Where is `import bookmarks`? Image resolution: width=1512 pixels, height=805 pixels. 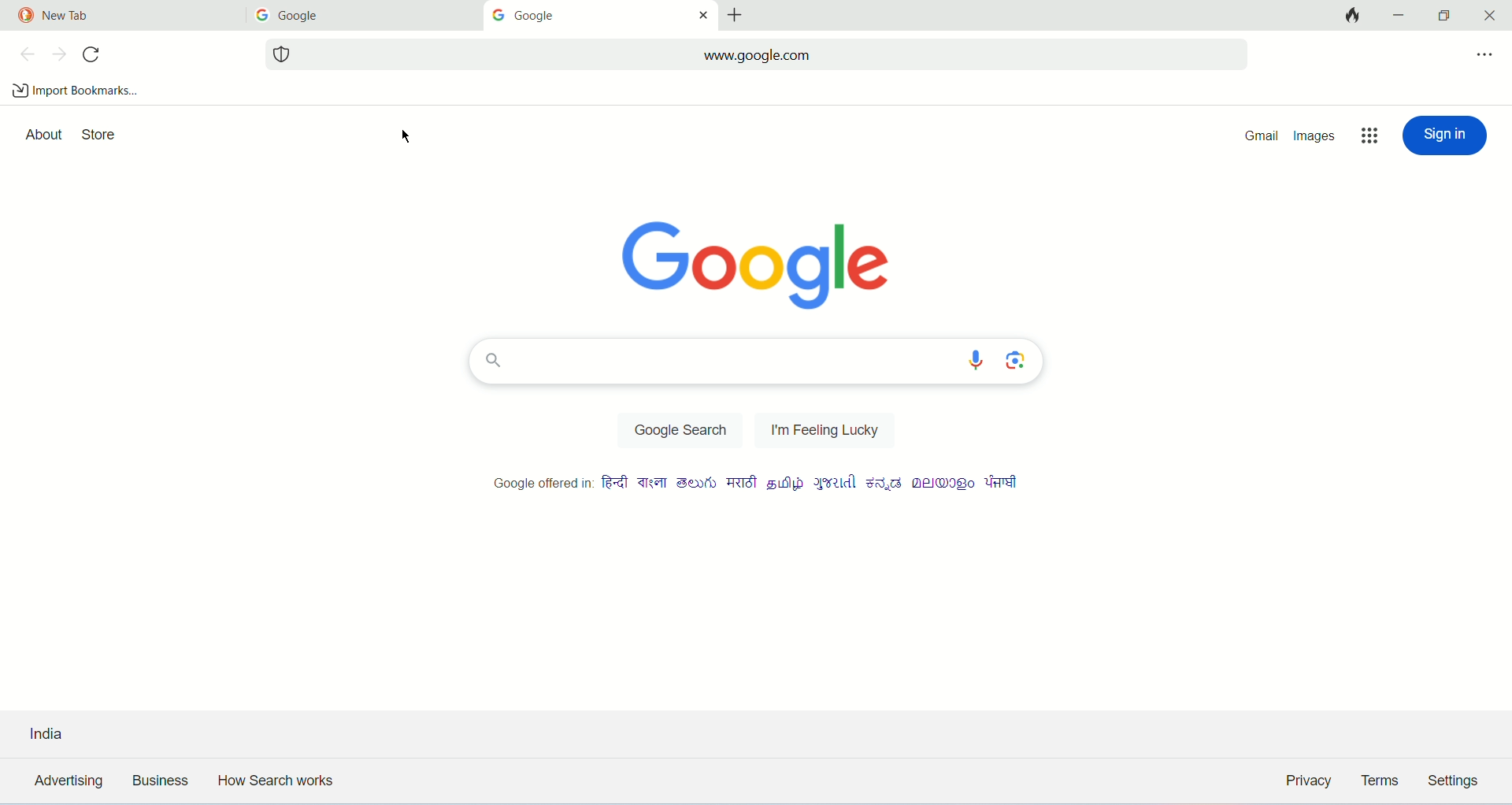
import bookmarks is located at coordinates (73, 89).